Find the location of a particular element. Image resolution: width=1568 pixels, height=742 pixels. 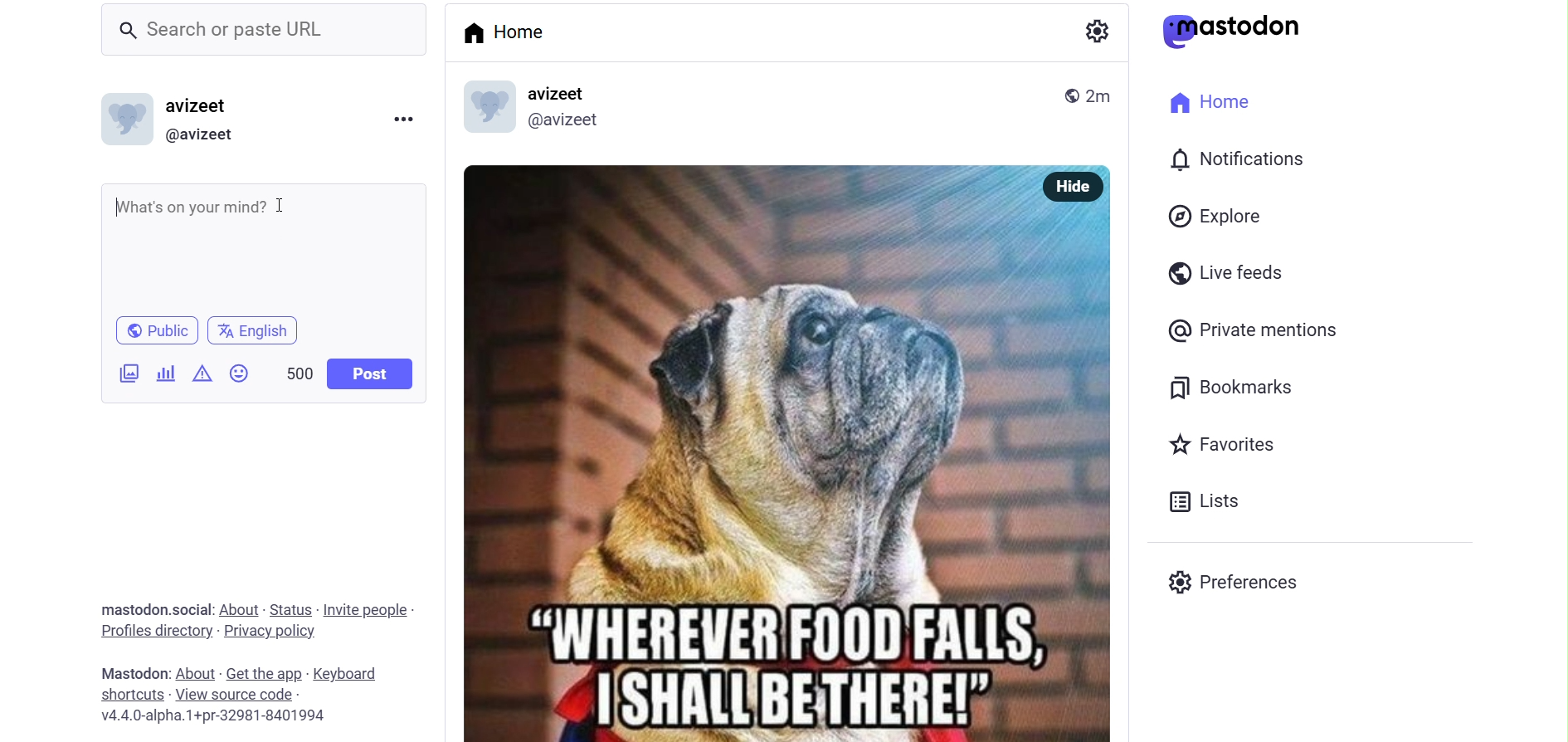

favorites is located at coordinates (1231, 442).